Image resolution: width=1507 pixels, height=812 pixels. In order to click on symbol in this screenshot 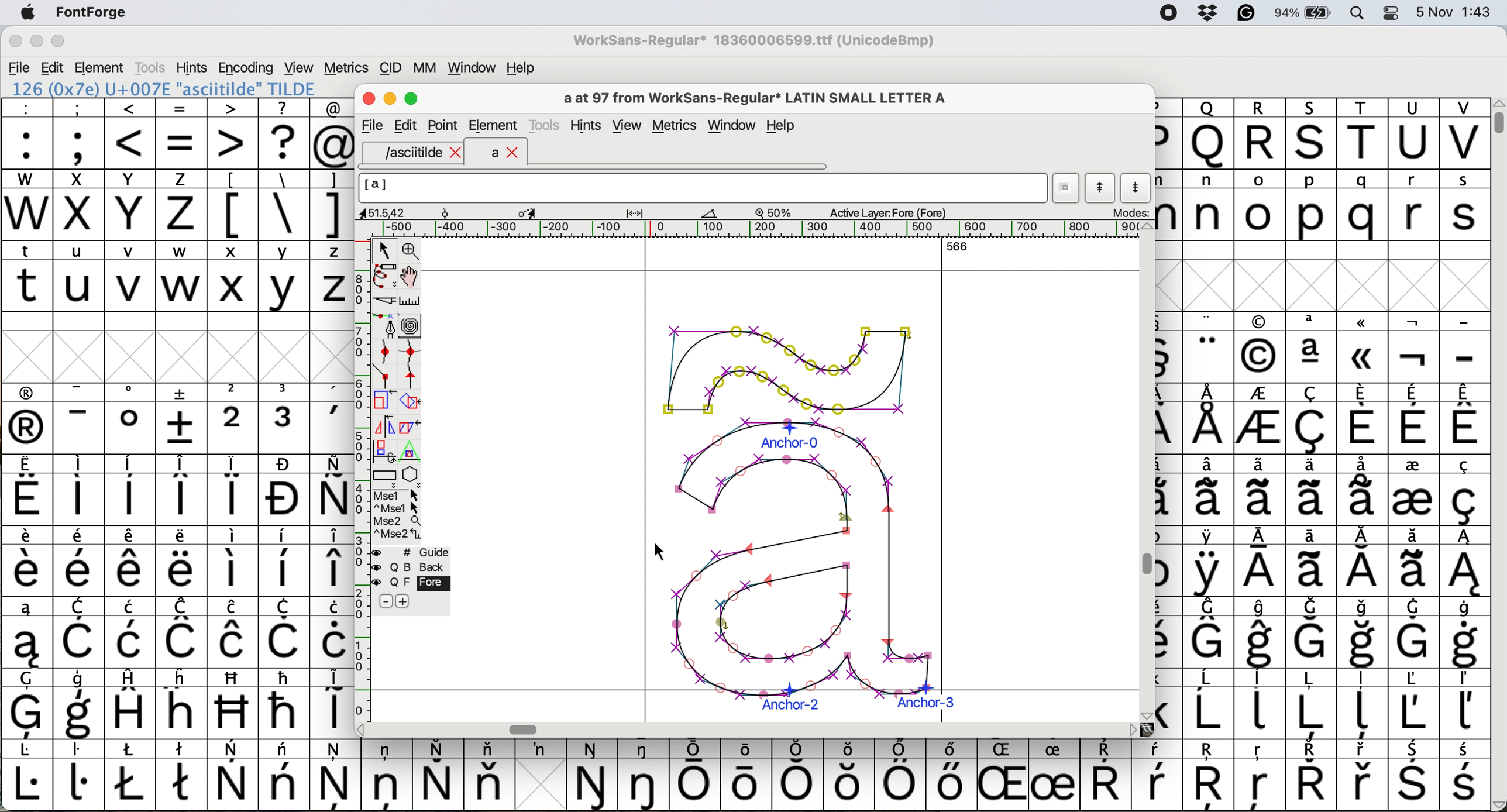, I will do `click(334, 632)`.